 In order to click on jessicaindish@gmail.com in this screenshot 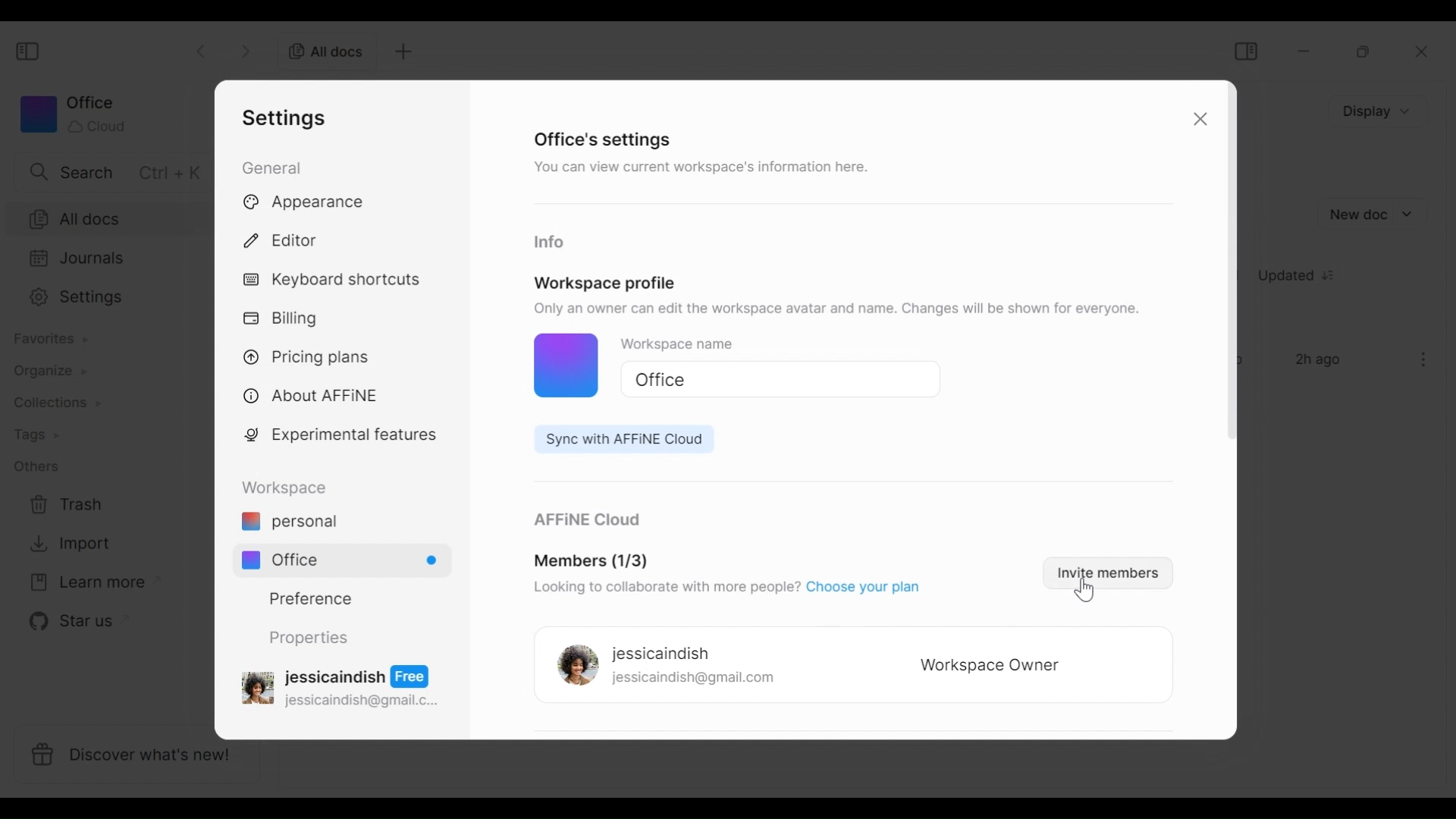, I will do `click(694, 679)`.